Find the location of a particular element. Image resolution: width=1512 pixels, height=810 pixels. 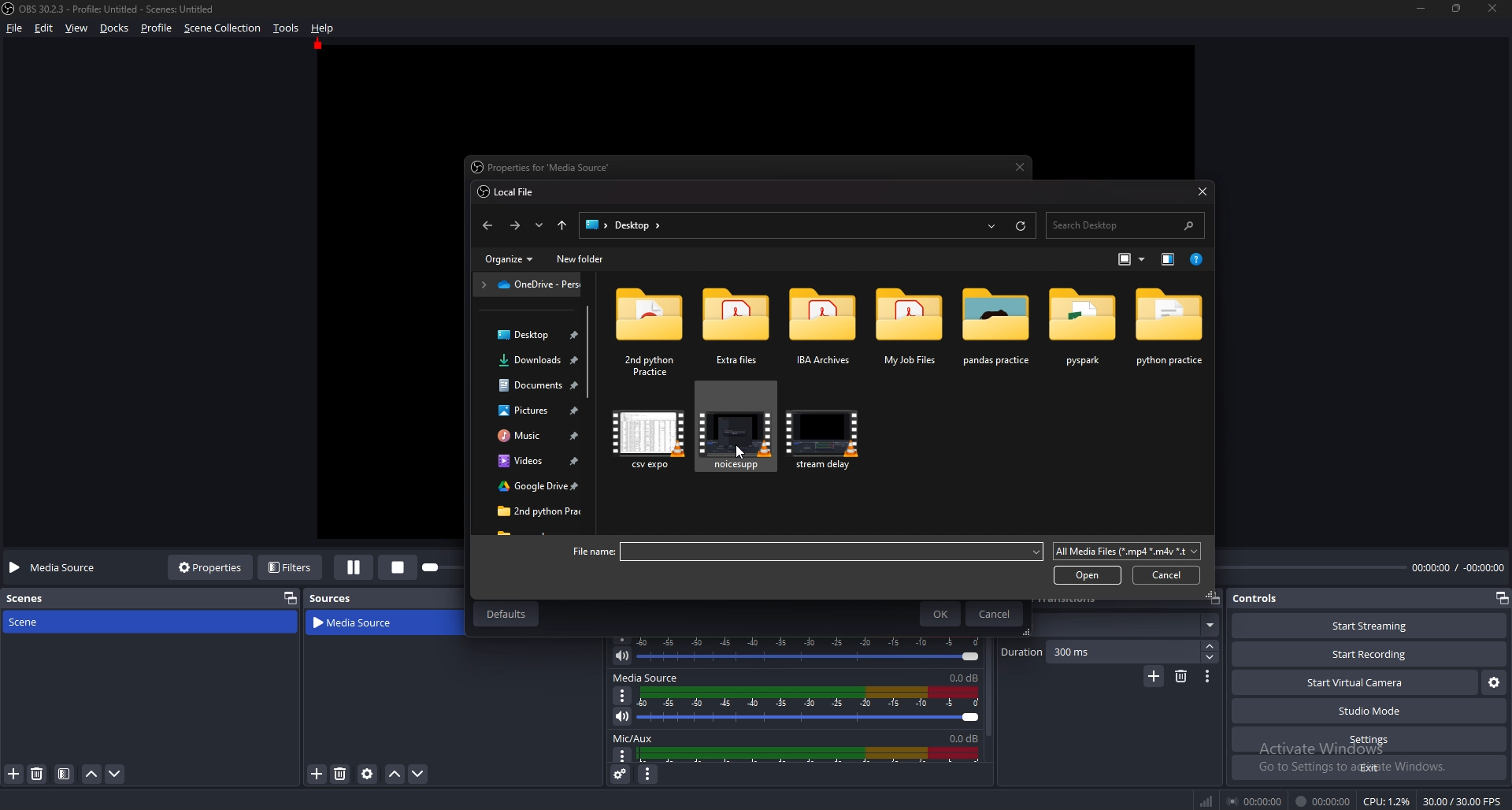

Move sources down is located at coordinates (417, 774).